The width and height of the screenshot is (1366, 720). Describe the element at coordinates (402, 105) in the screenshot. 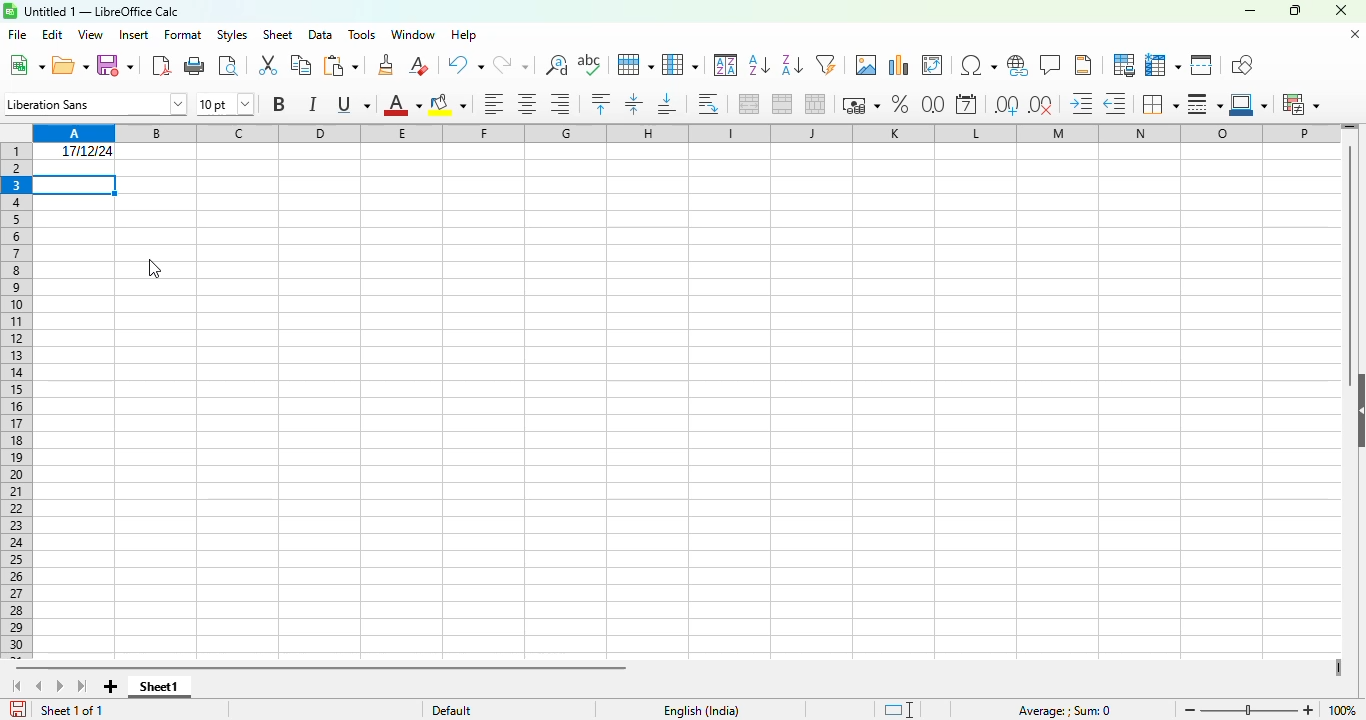

I see `font color` at that location.